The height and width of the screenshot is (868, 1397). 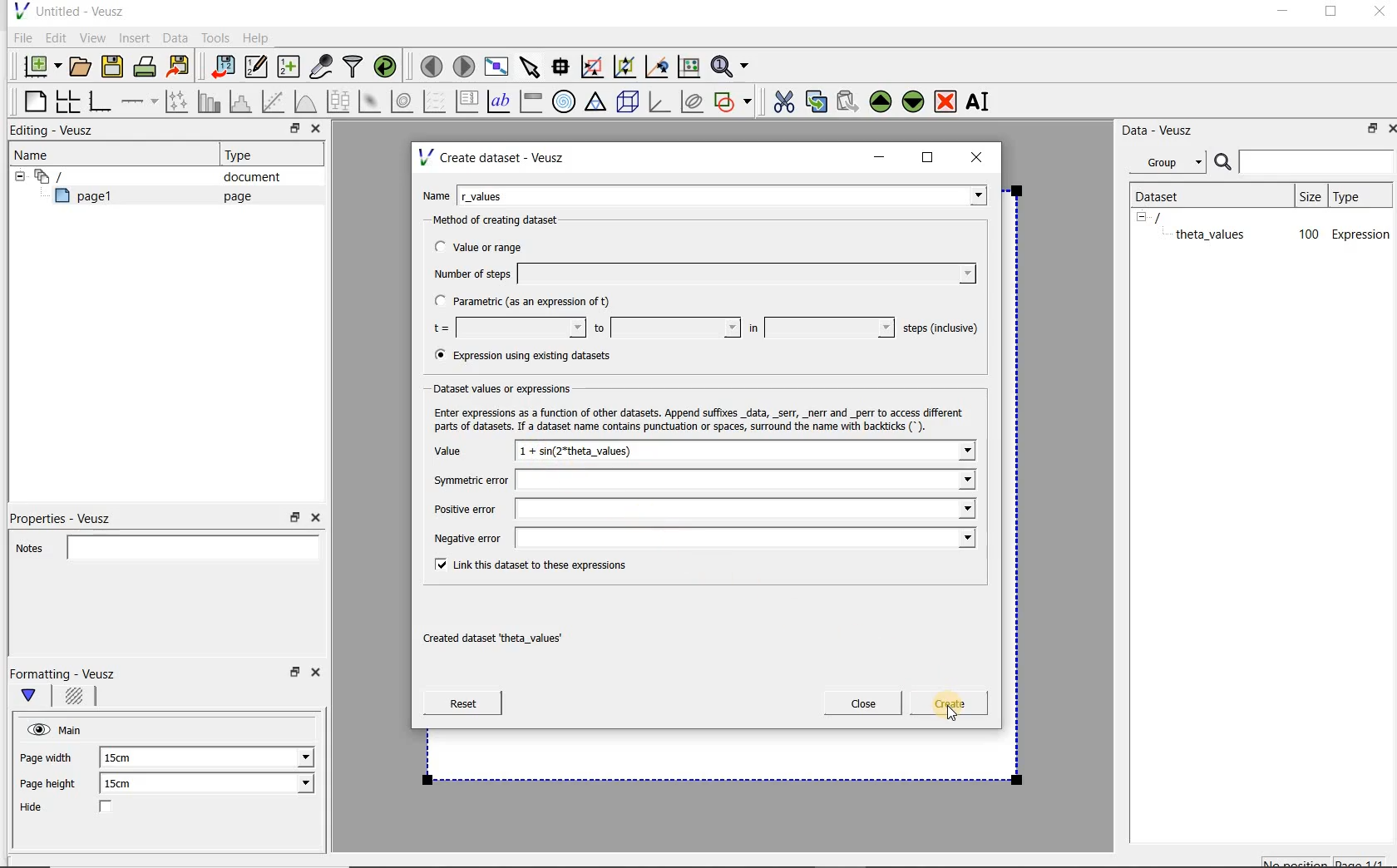 What do you see at coordinates (516, 387) in the screenshot?
I see `Dataset values or expressions` at bounding box center [516, 387].